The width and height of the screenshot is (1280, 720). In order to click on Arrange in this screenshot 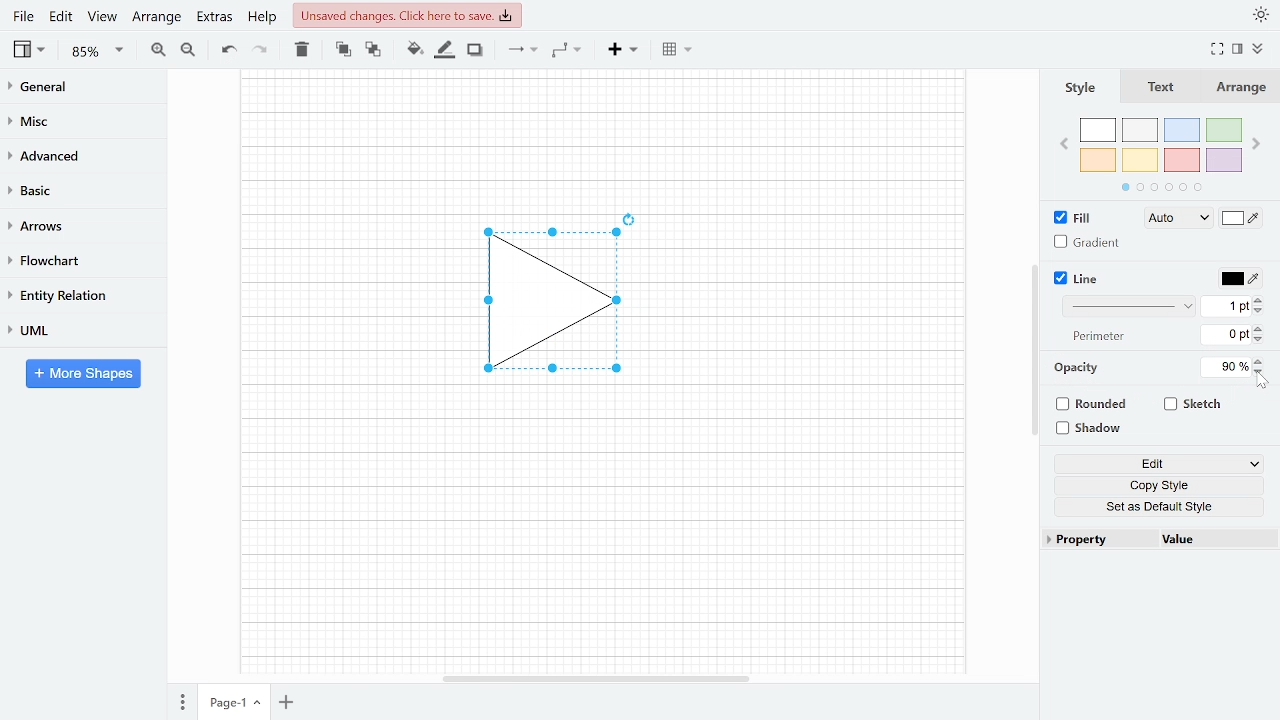, I will do `click(1239, 87)`.